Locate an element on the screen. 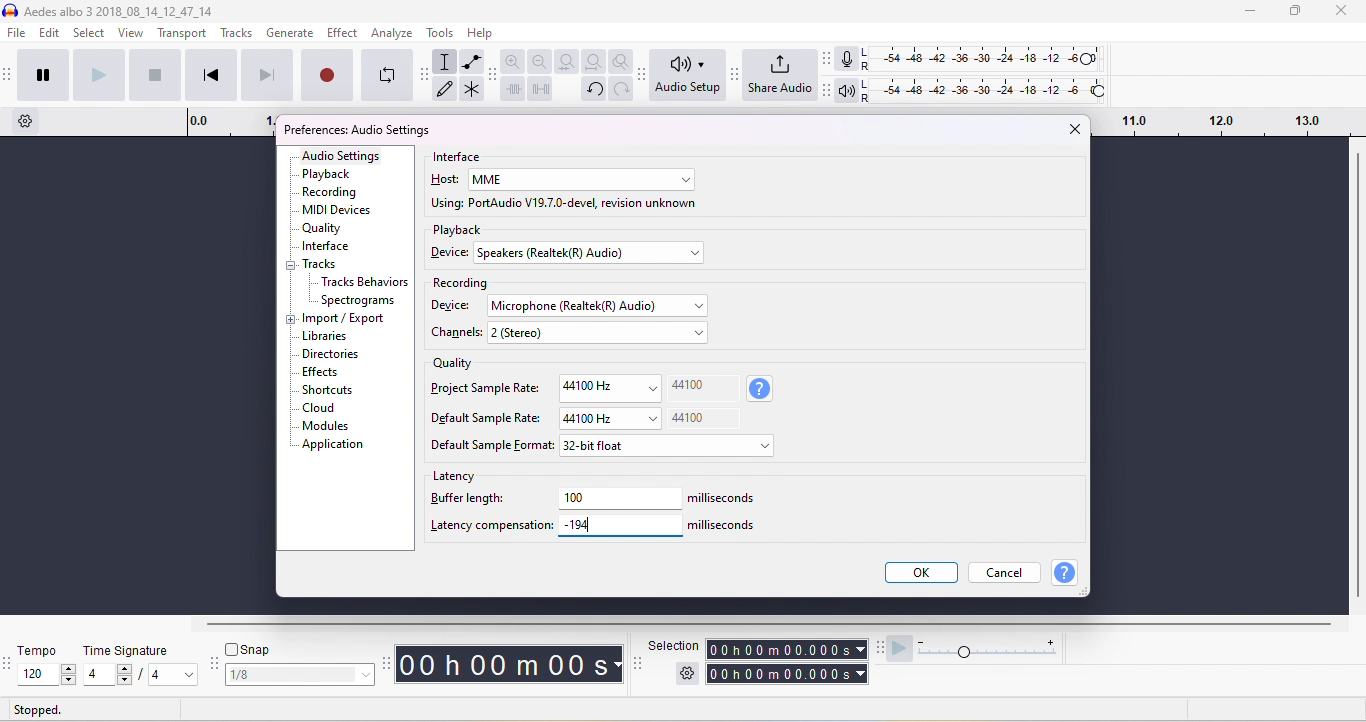 This screenshot has height=722, width=1366. time signature is located at coordinates (127, 650).